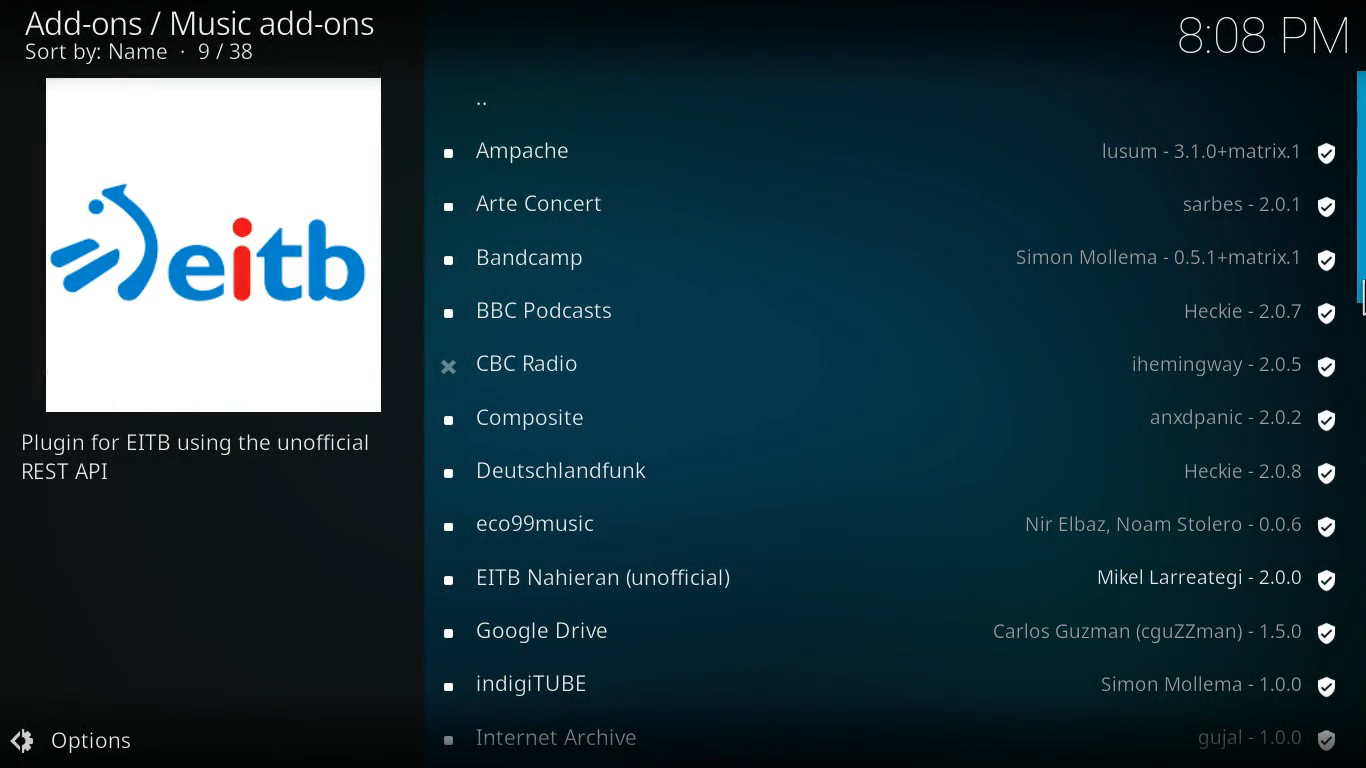 The height and width of the screenshot is (768, 1366). Describe the element at coordinates (1161, 631) in the screenshot. I see `provide` at that location.